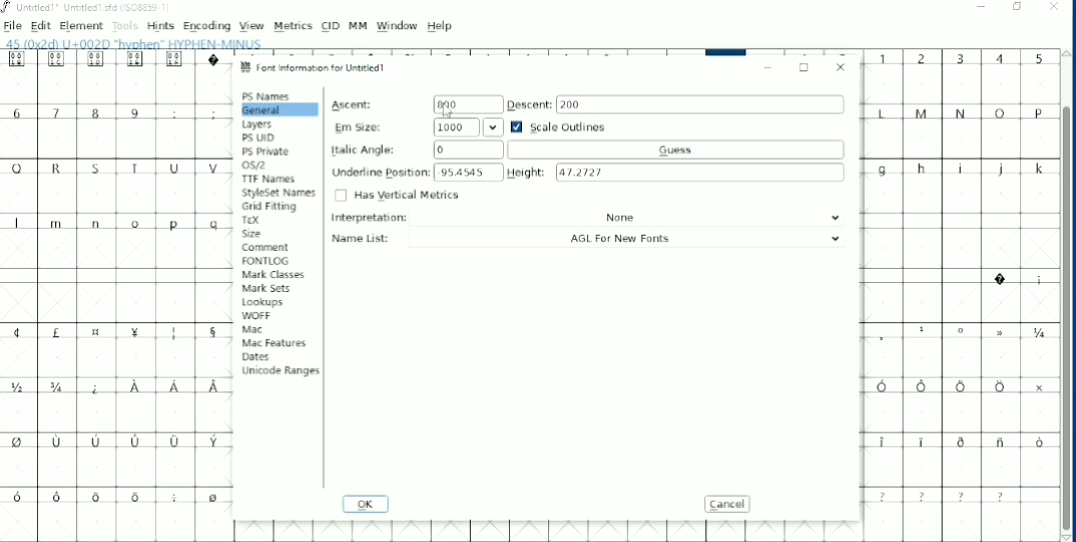 Image resolution: width=1076 pixels, height=542 pixels. What do you see at coordinates (256, 316) in the screenshot?
I see `WOFF` at bounding box center [256, 316].